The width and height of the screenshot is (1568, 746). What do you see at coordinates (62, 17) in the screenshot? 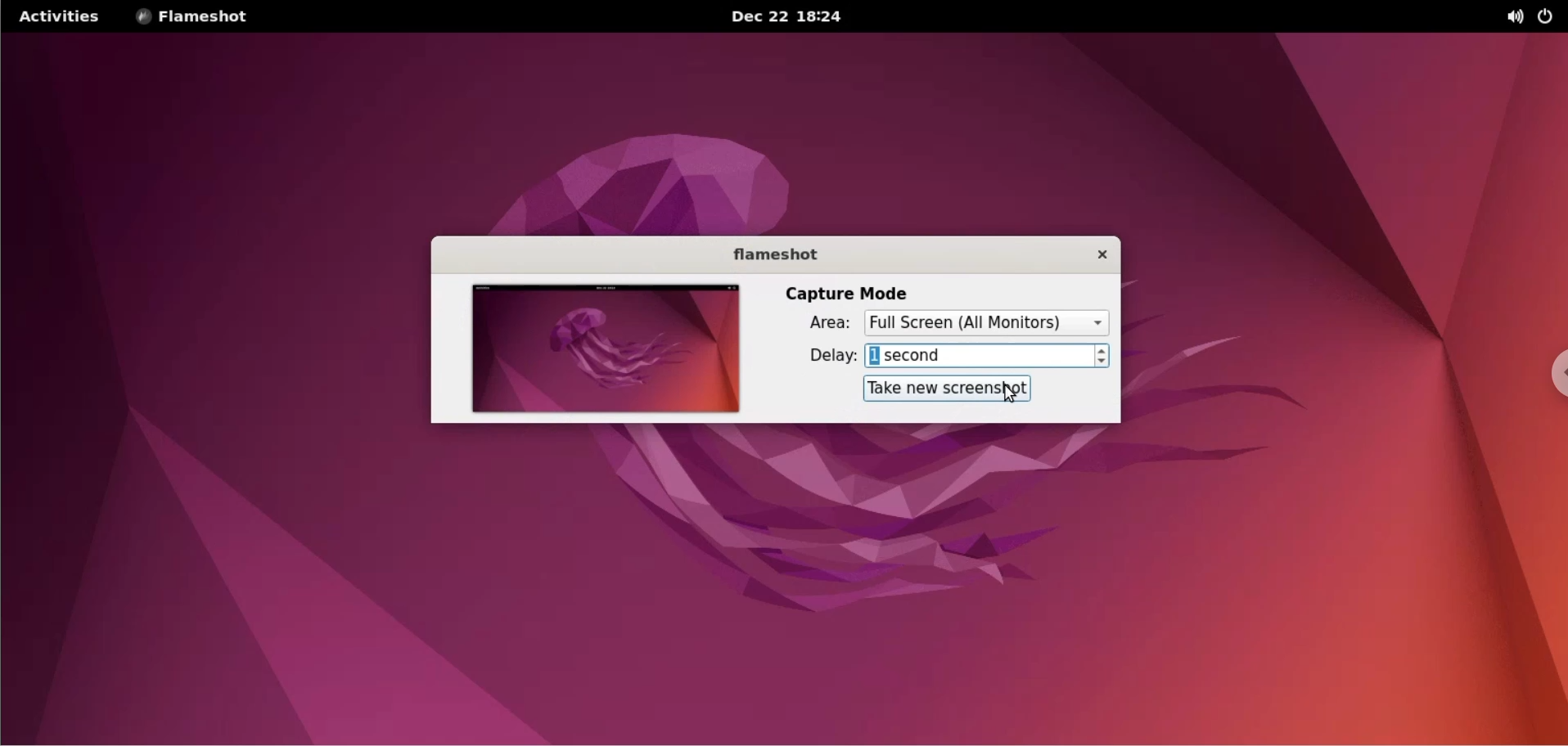
I see `activities` at bounding box center [62, 17].